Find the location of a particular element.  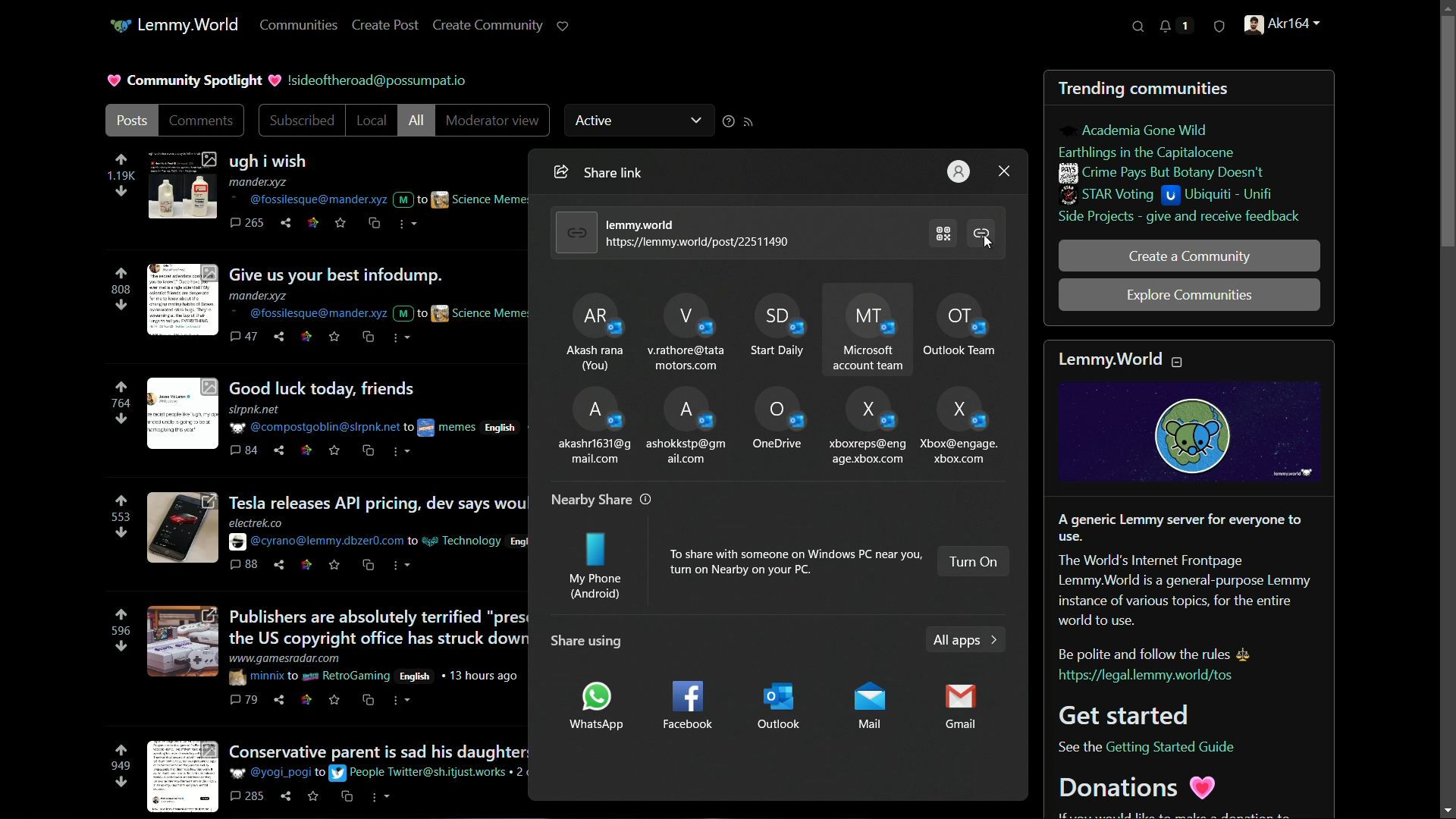

downvote is located at coordinates (121, 419).